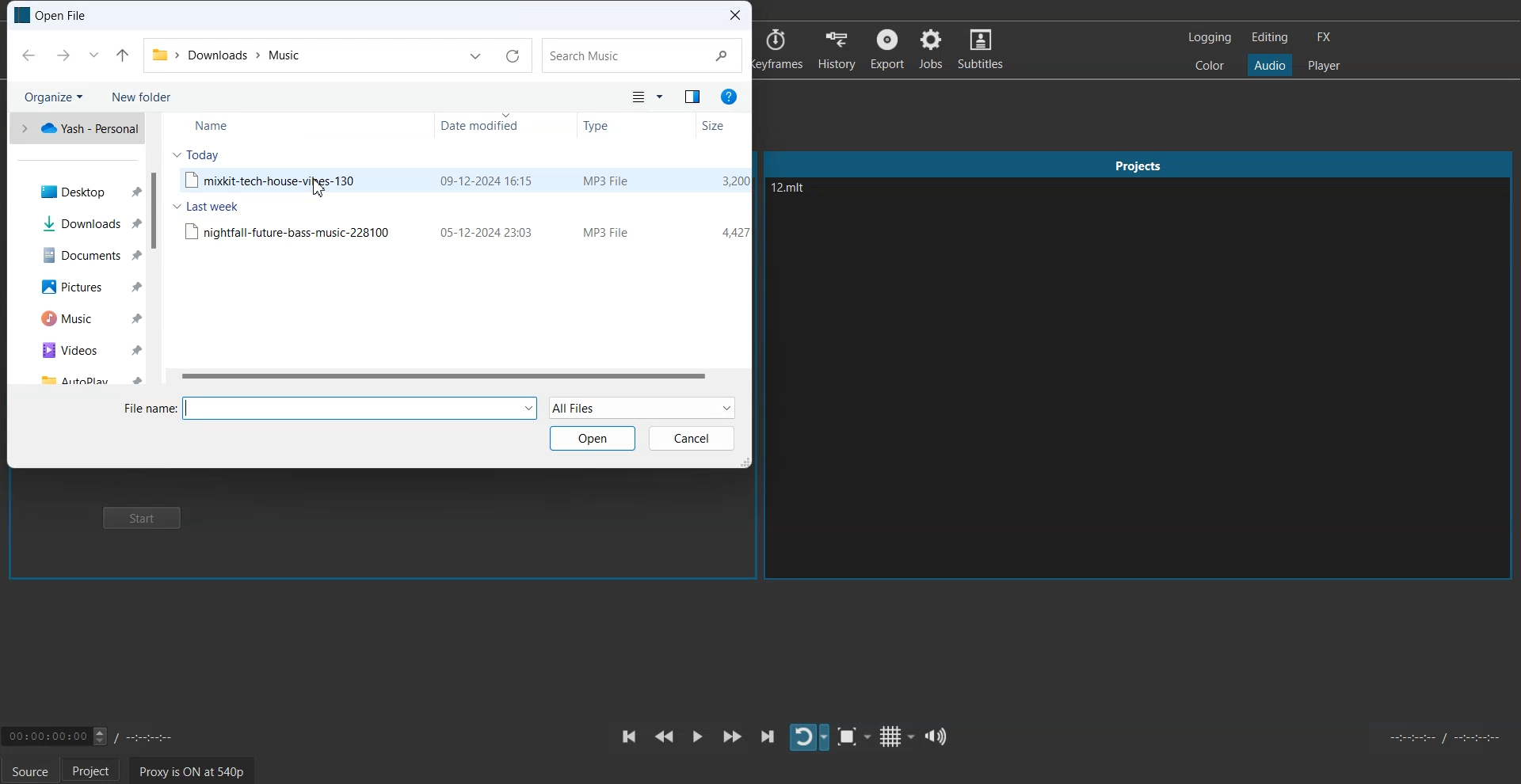  Describe the element at coordinates (629, 736) in the screenshot. I see `Skip To previous point` at that location.